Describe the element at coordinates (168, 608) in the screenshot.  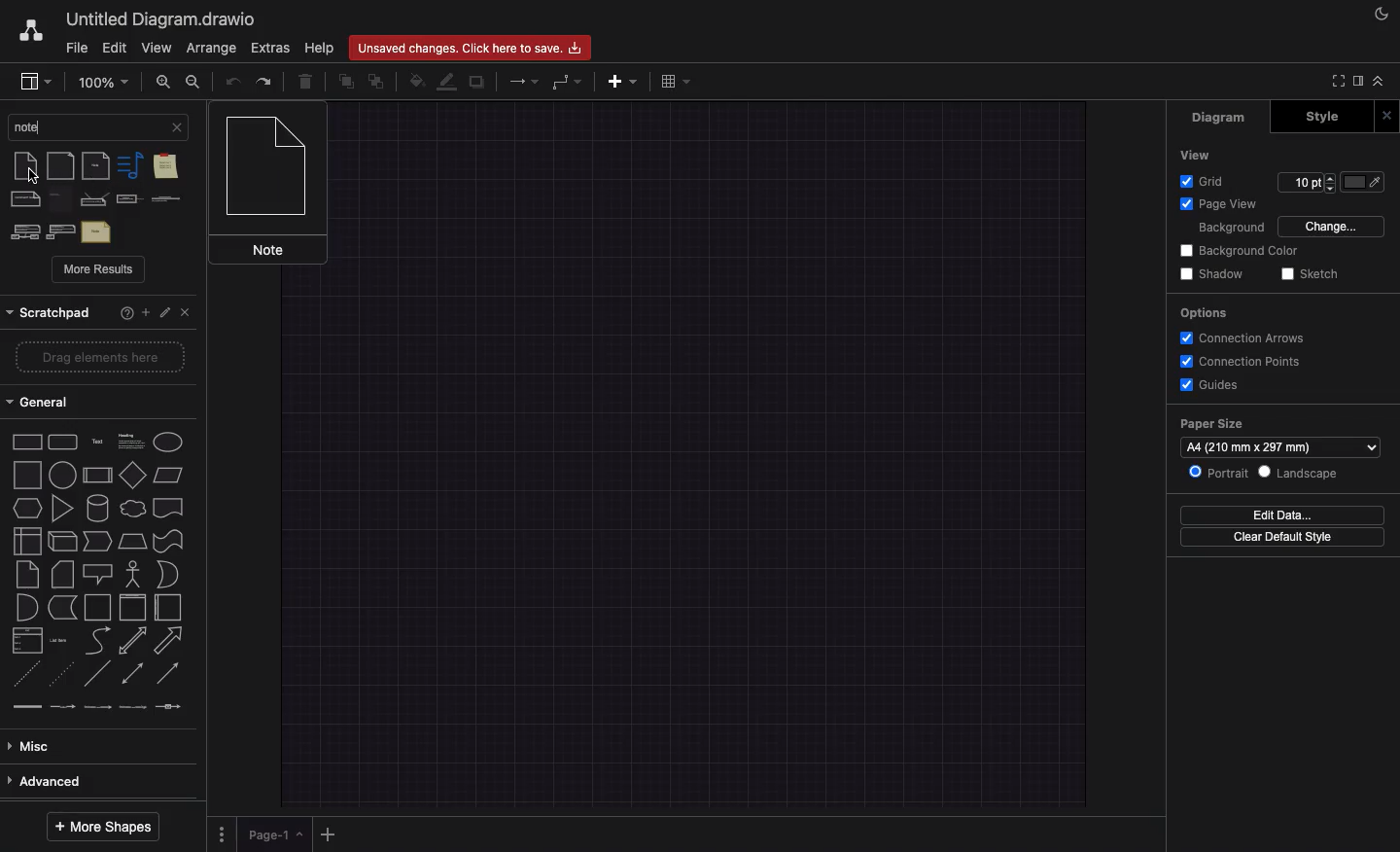
I see `horizontal container` at that location.